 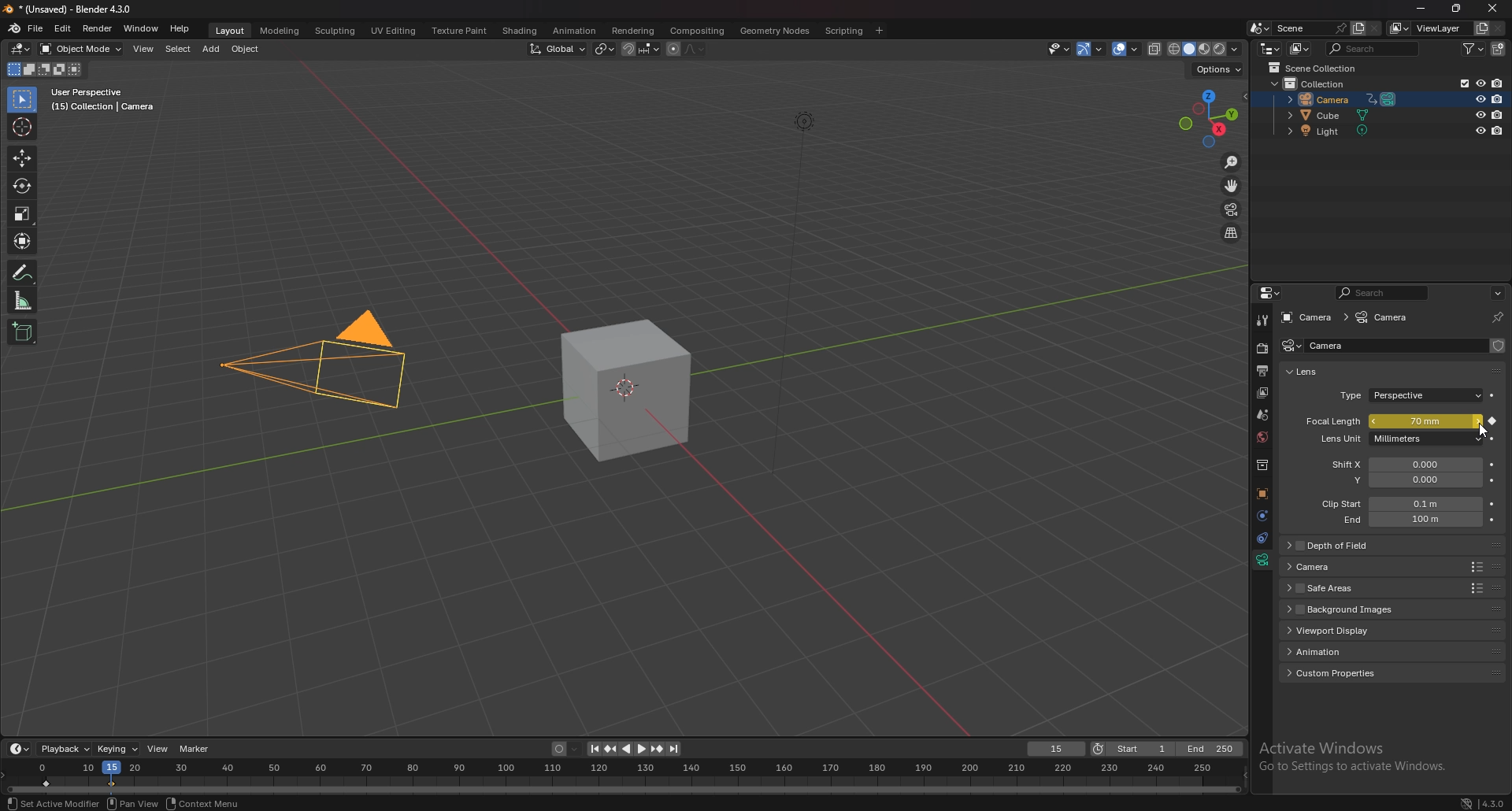 I want to click on disable in renders, so click(x=1499, y=83).